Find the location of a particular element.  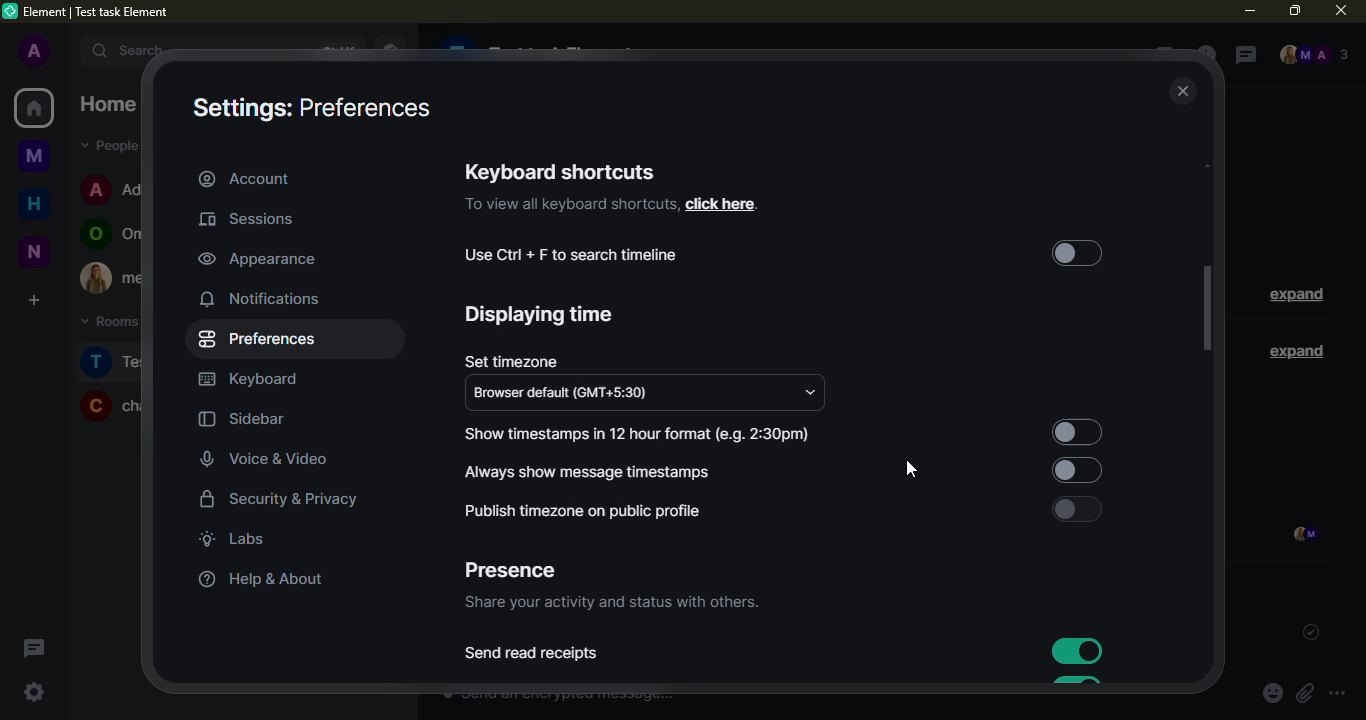

sidebar is located at coordinates (242, 420).